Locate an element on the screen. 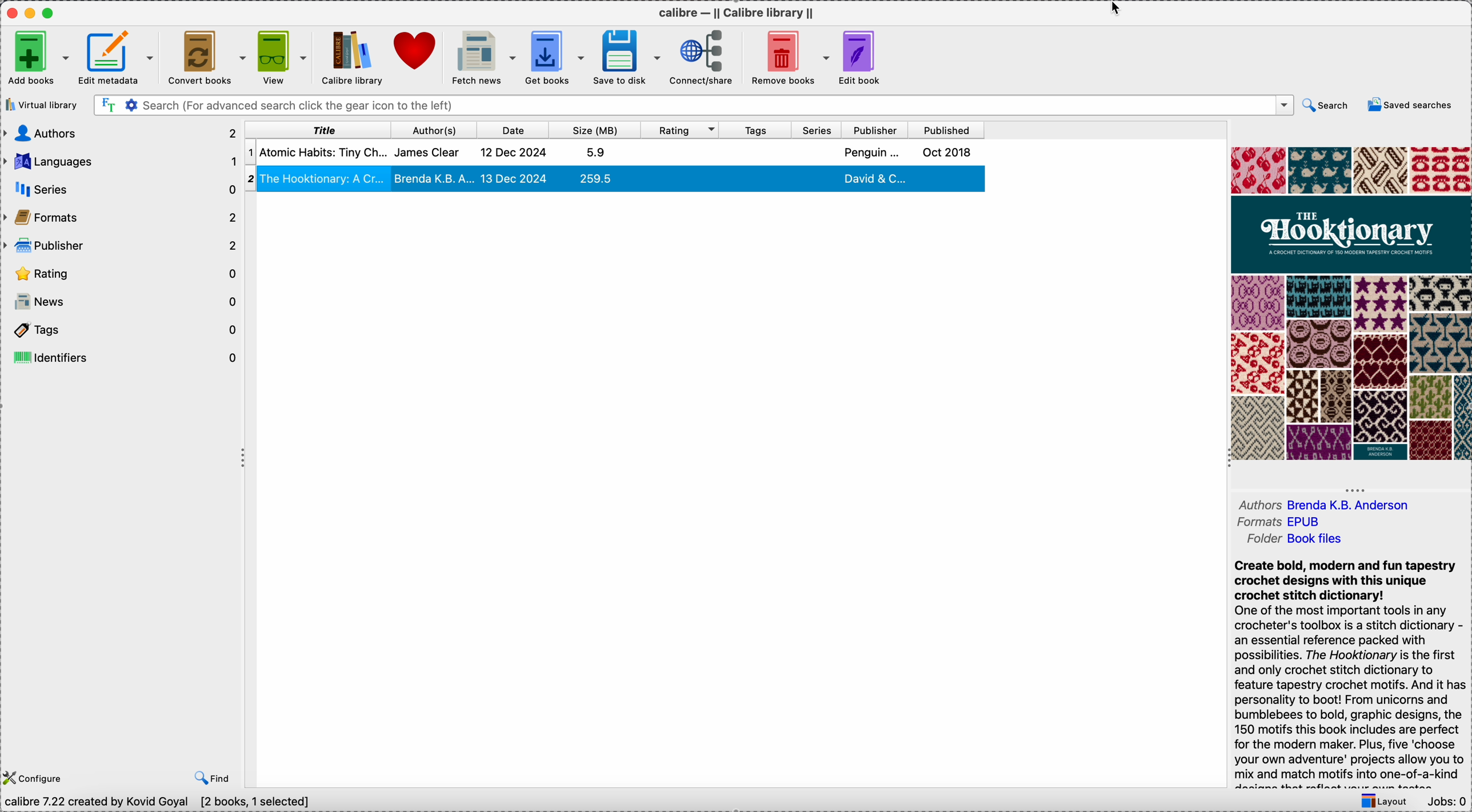  series is located at coordinates (817, 130).